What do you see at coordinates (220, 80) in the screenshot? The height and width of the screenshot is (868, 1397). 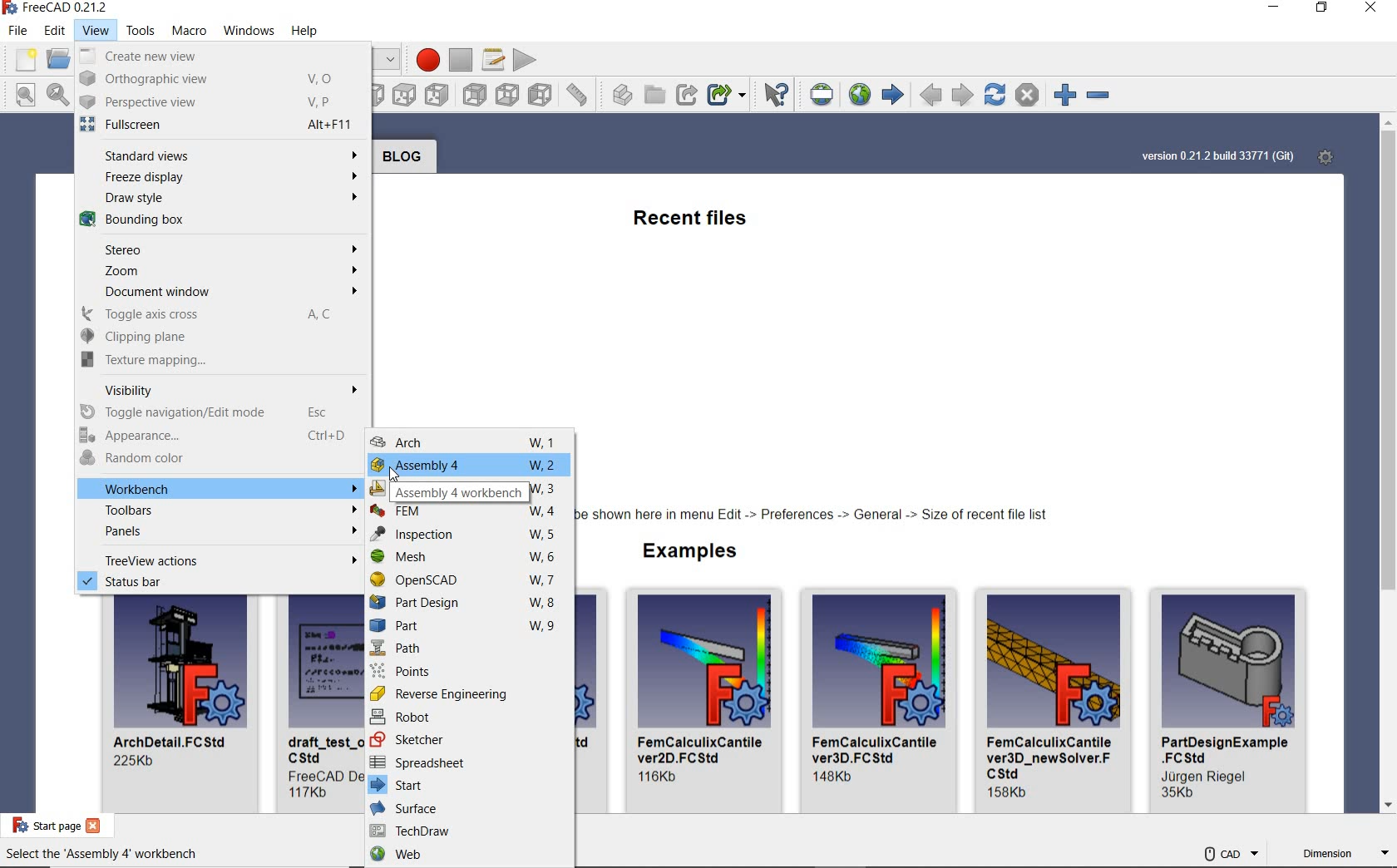 I see `orthographic view` at bounding box center [220, 80].